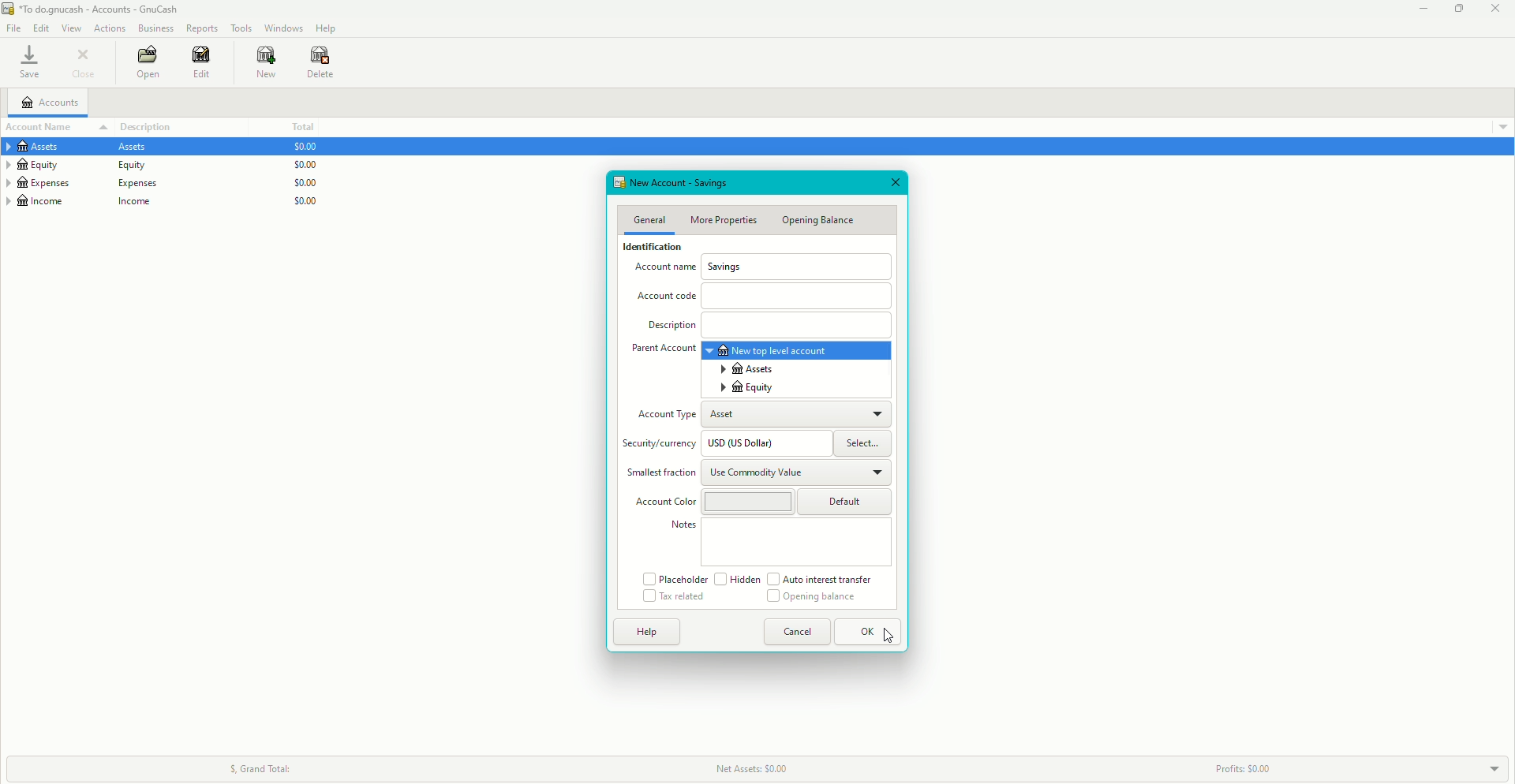 The height and width of the screenshot is (784, 1515). Describe the element at coordinates (1457, 9) in the screenshot. I see `Restore` at that location.